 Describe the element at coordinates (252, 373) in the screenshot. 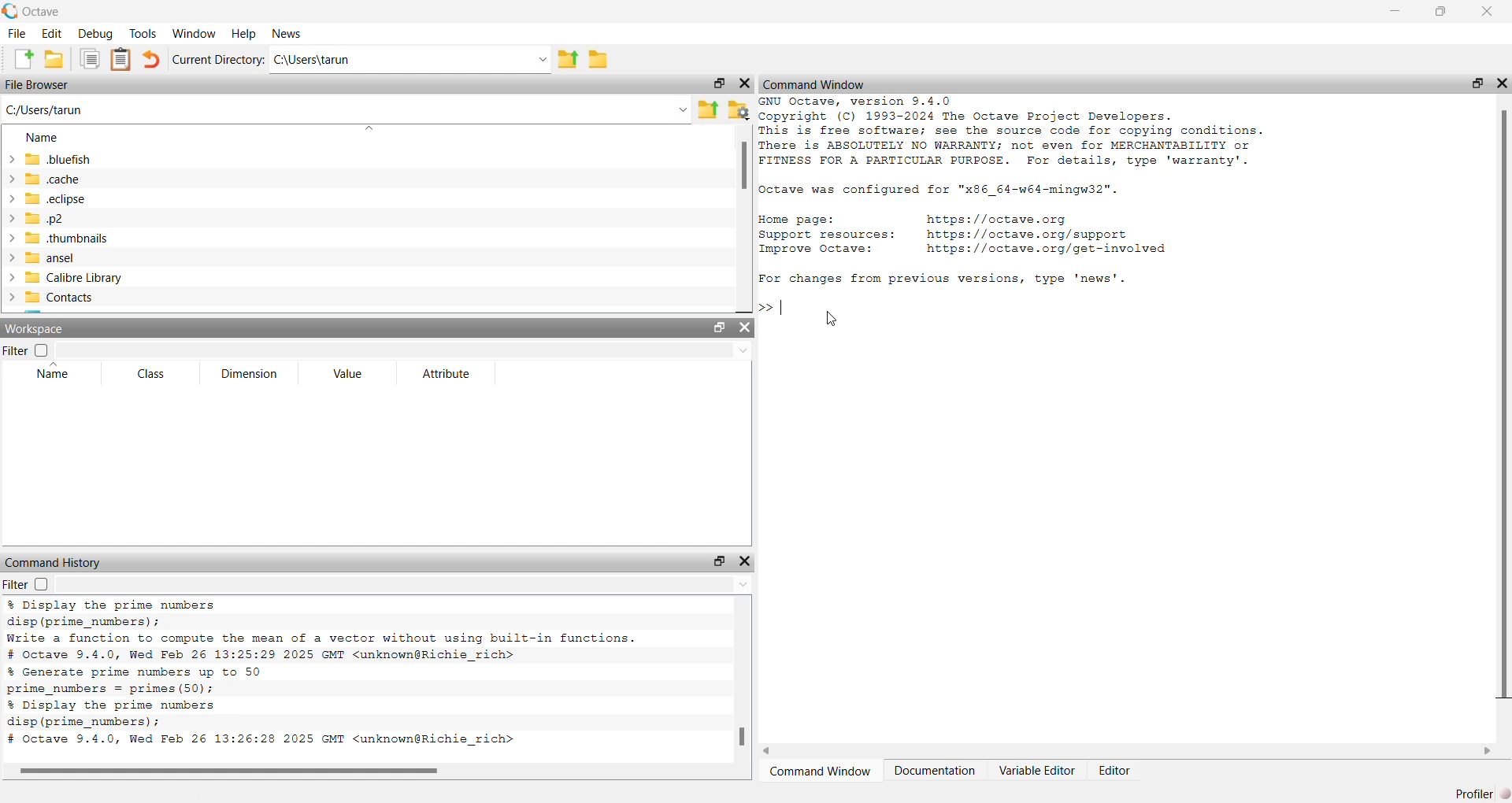

I see `Dimension` at that location.